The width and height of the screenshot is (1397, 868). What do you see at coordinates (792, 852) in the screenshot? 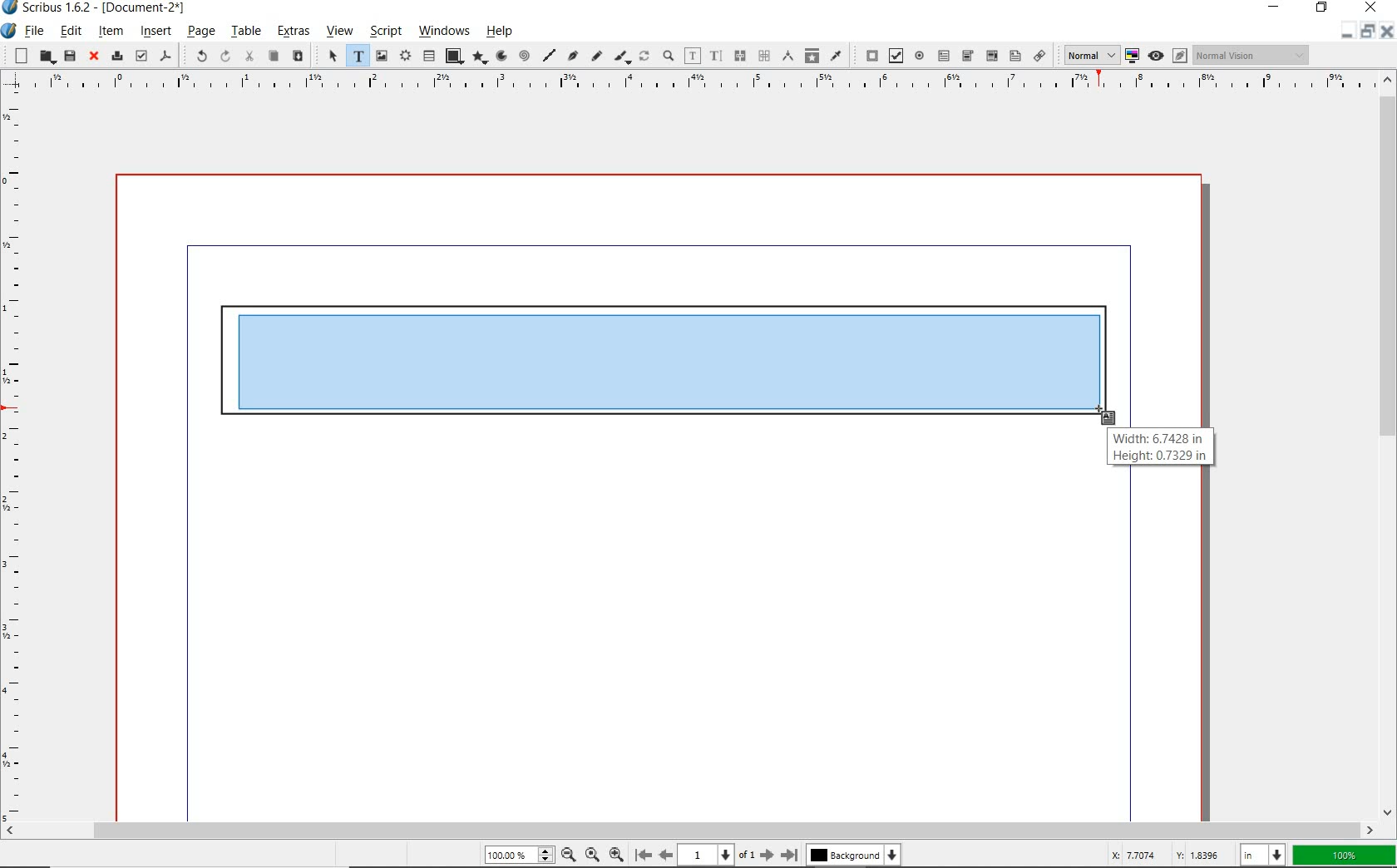
I see `move to last` at bounding box center [792, 852].